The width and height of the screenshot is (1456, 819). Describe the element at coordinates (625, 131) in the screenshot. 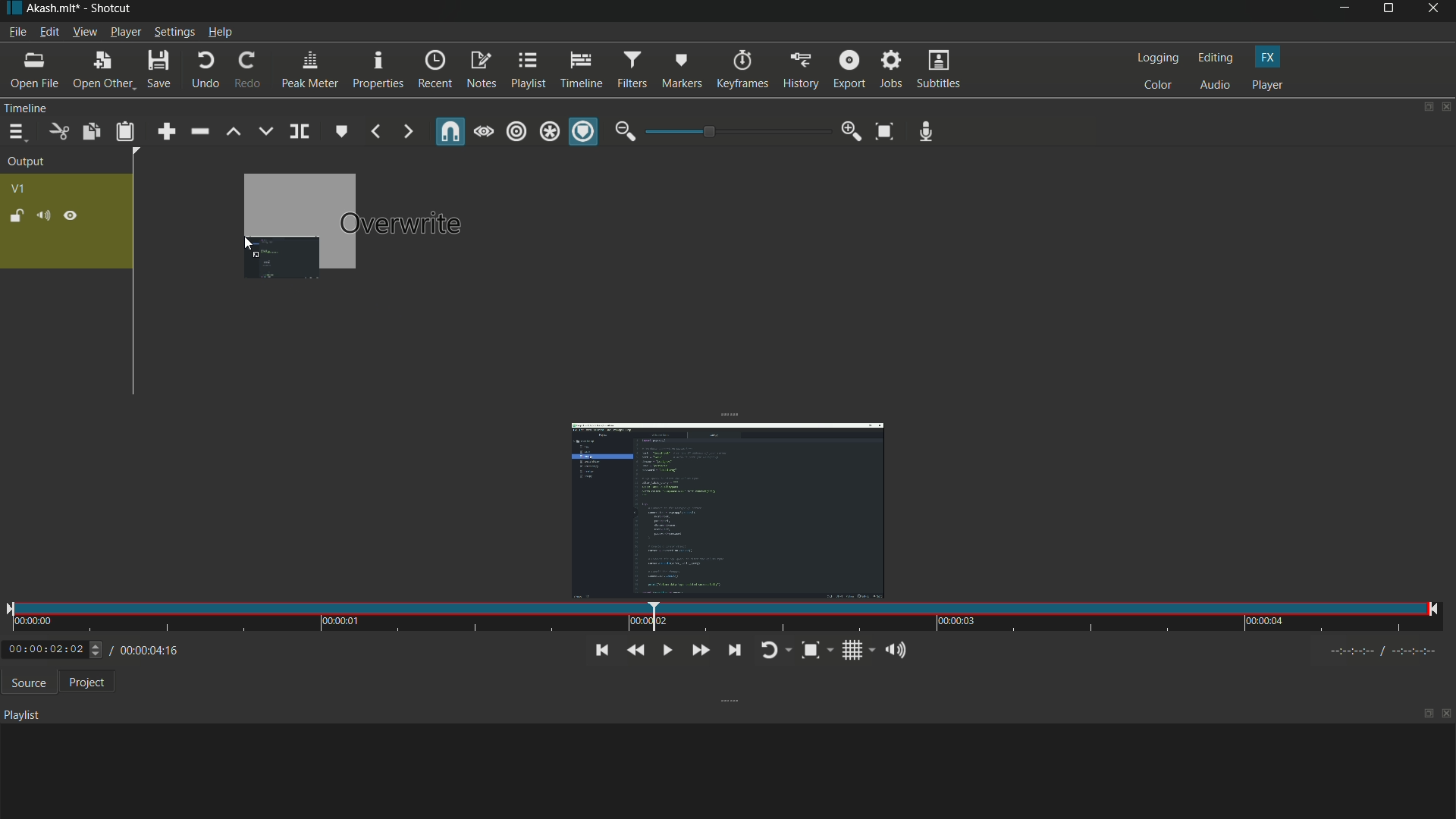

I see `zoom out` at that location.